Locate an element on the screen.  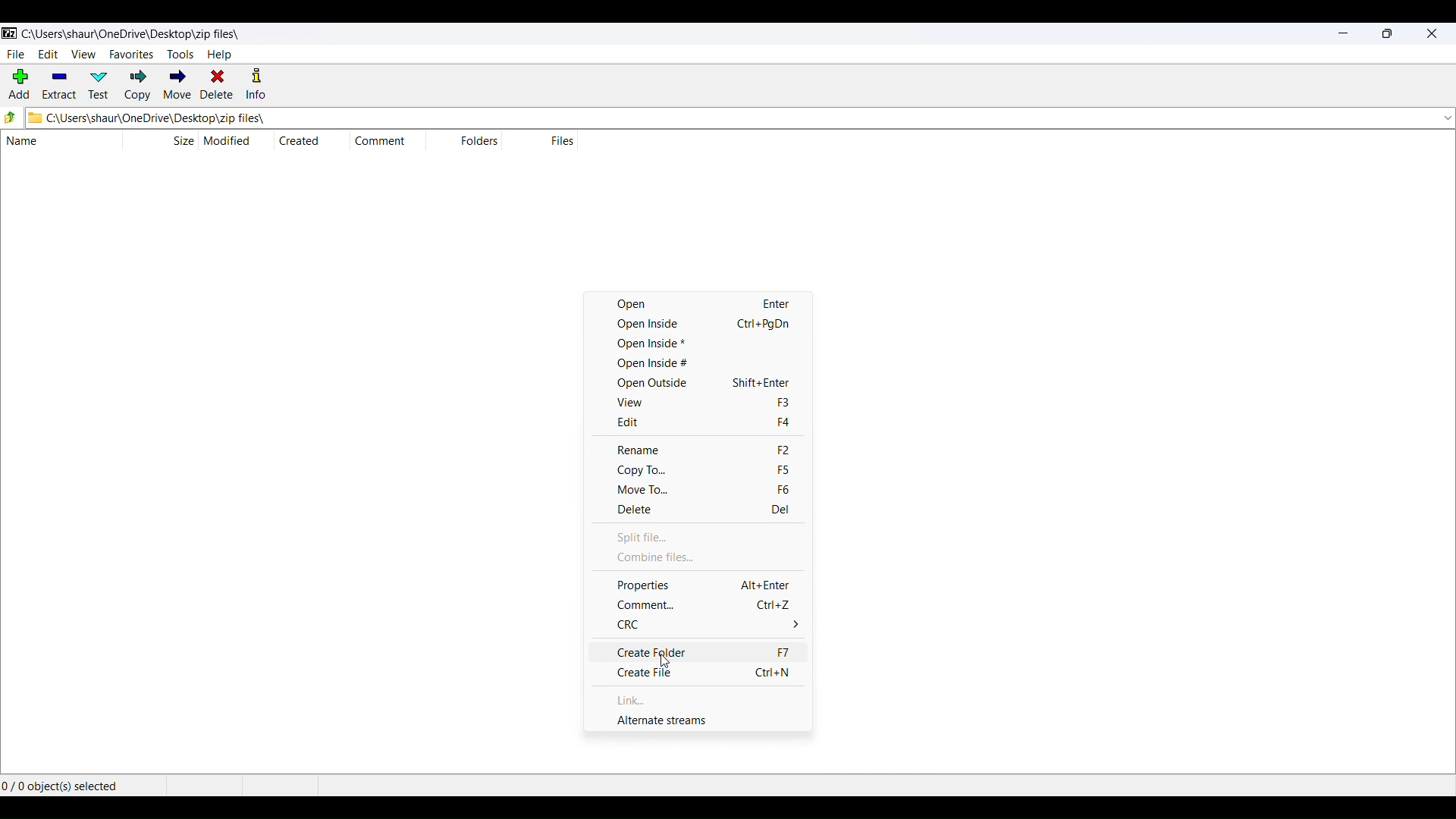
OPEN INSIDE is located at coordinates (706, 323).